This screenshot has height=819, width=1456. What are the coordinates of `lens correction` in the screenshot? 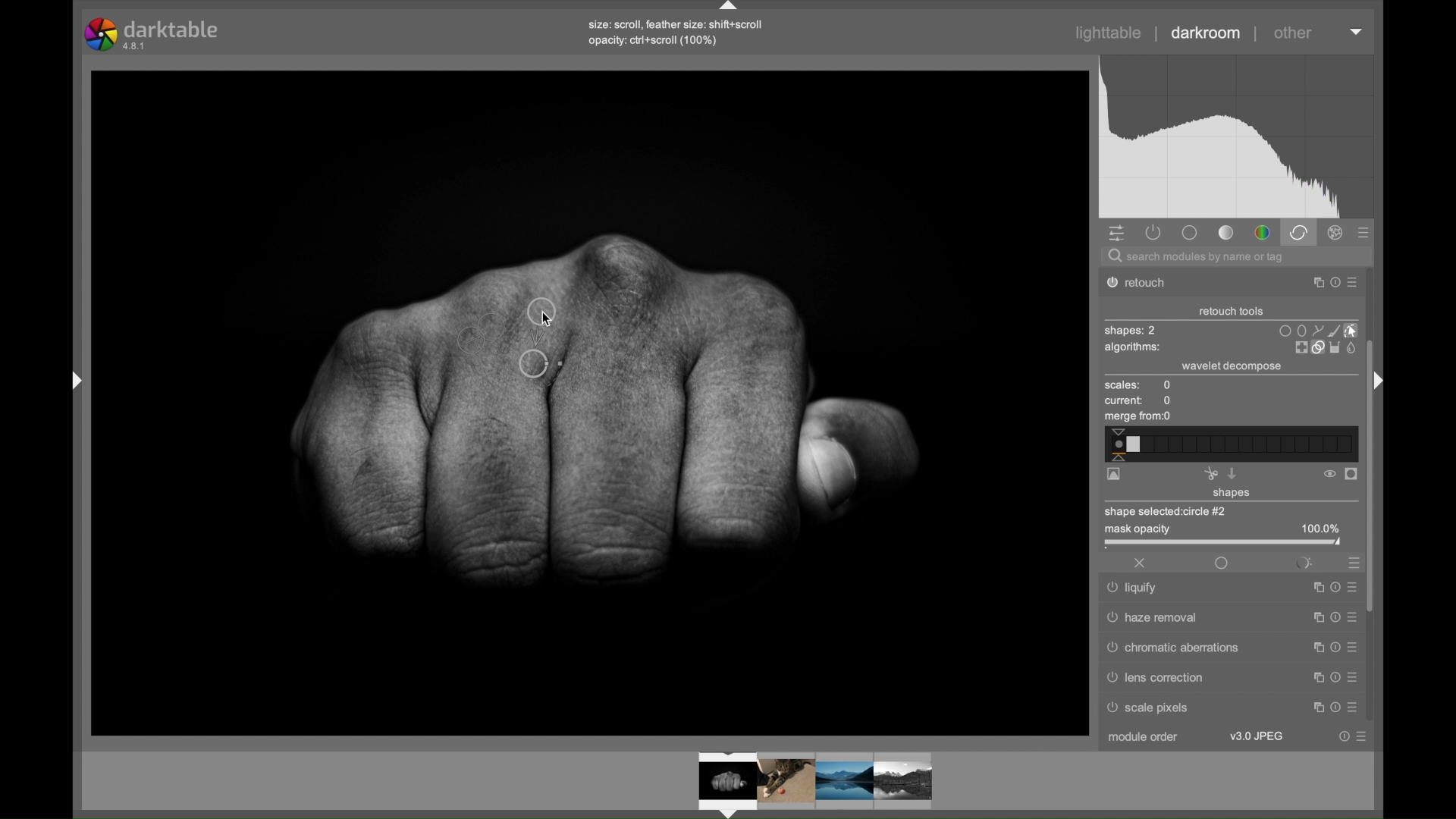 It's located at (1166, 677).